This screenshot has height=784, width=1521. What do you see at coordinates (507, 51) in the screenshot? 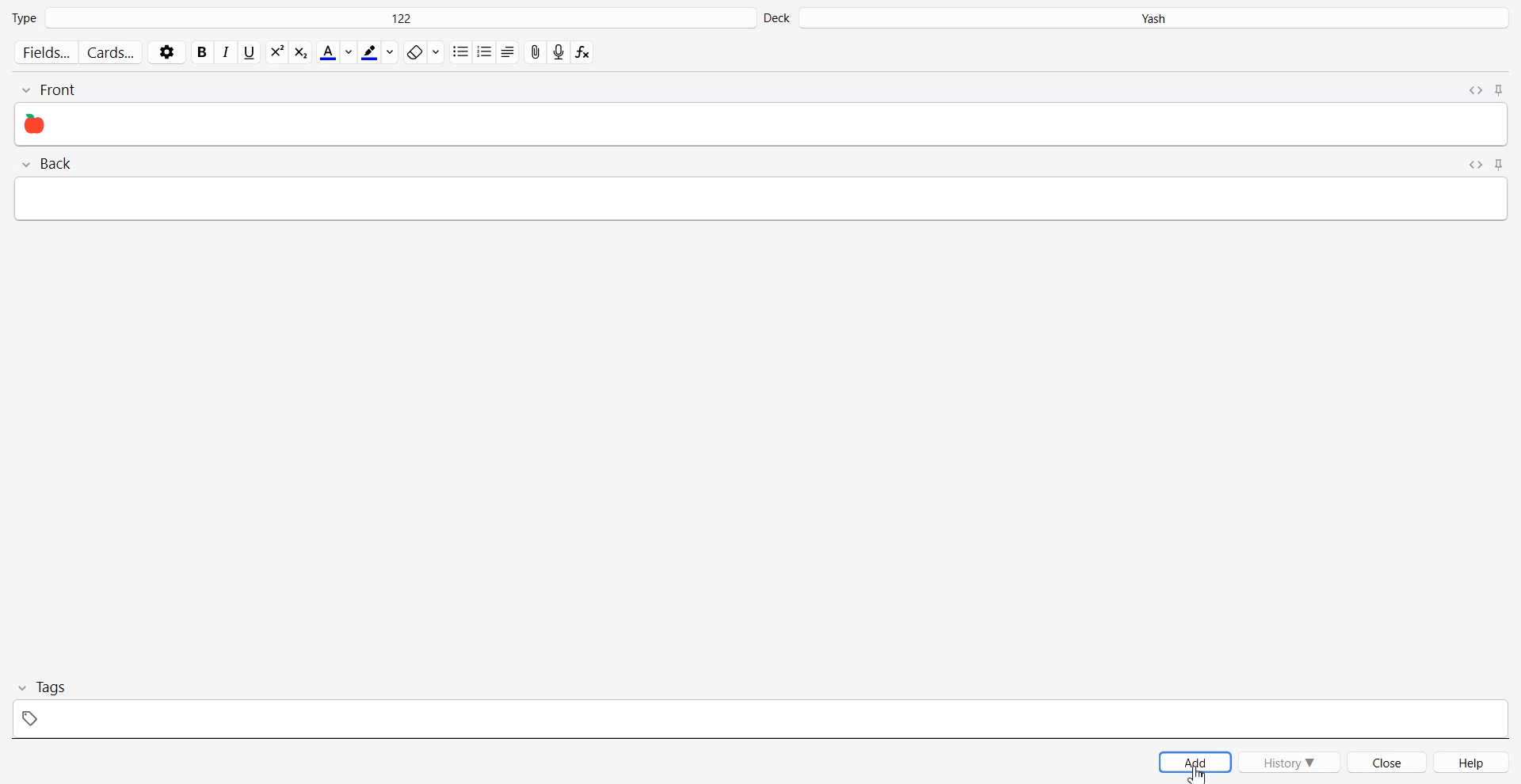
I see `Alignment` at bounding box center [507, 51].